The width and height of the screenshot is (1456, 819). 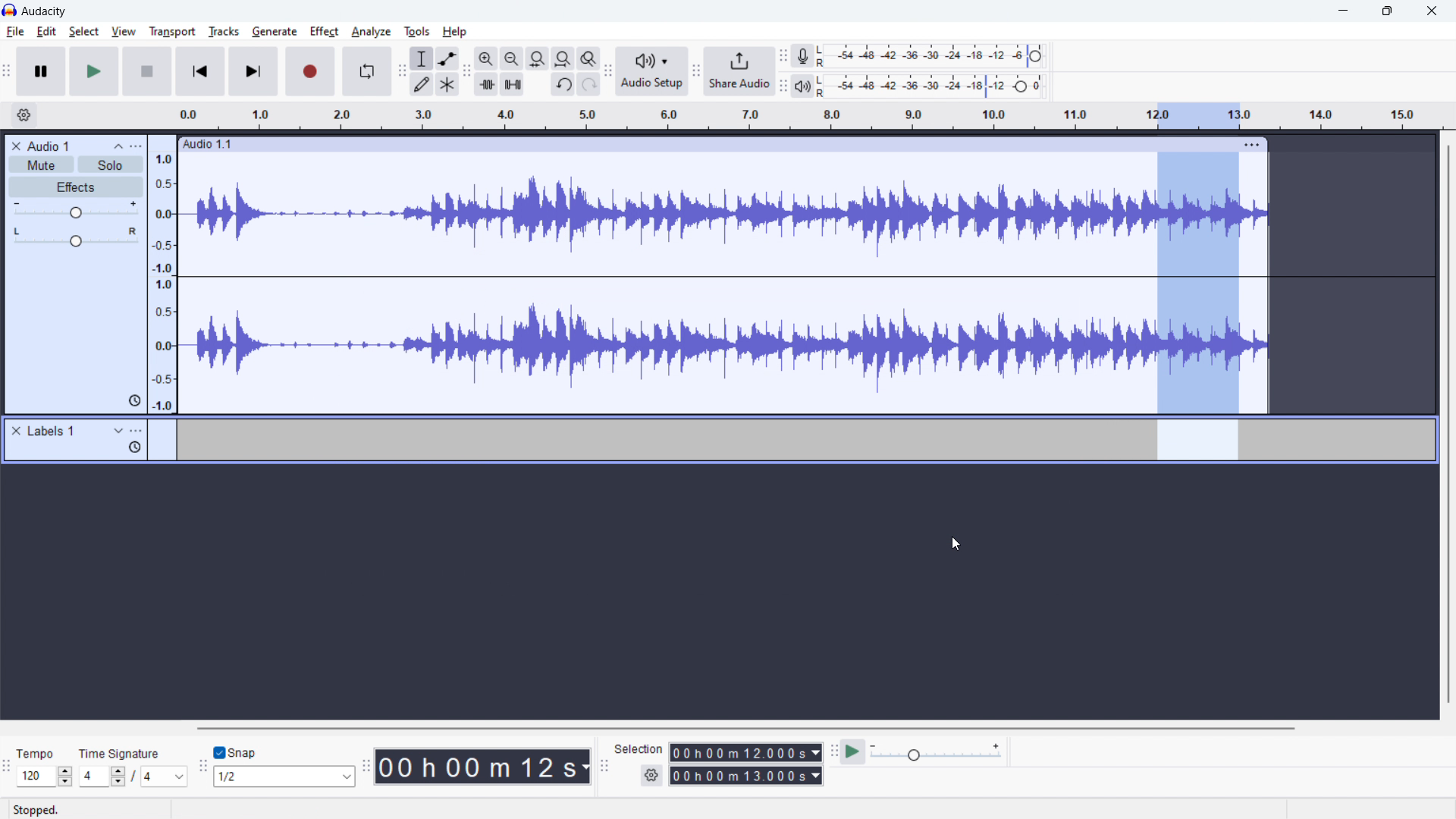 What do you see at coordinates (639, 749) in the screenshot?
I see `selection` at bounding box center [639, 749].